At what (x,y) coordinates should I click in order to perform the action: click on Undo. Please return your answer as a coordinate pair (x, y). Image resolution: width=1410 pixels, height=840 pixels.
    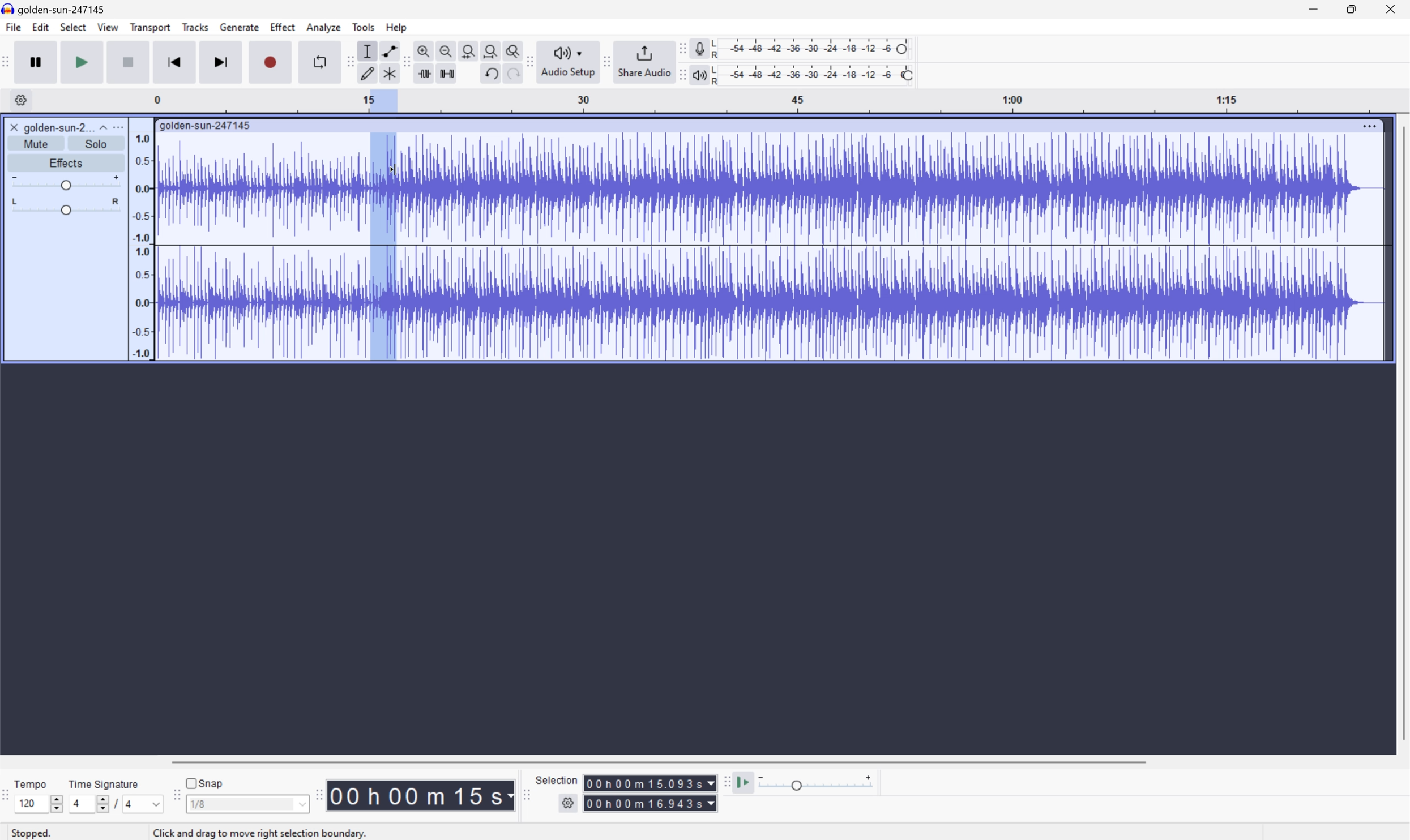
    Looking at the image, I should click on (489, 72).